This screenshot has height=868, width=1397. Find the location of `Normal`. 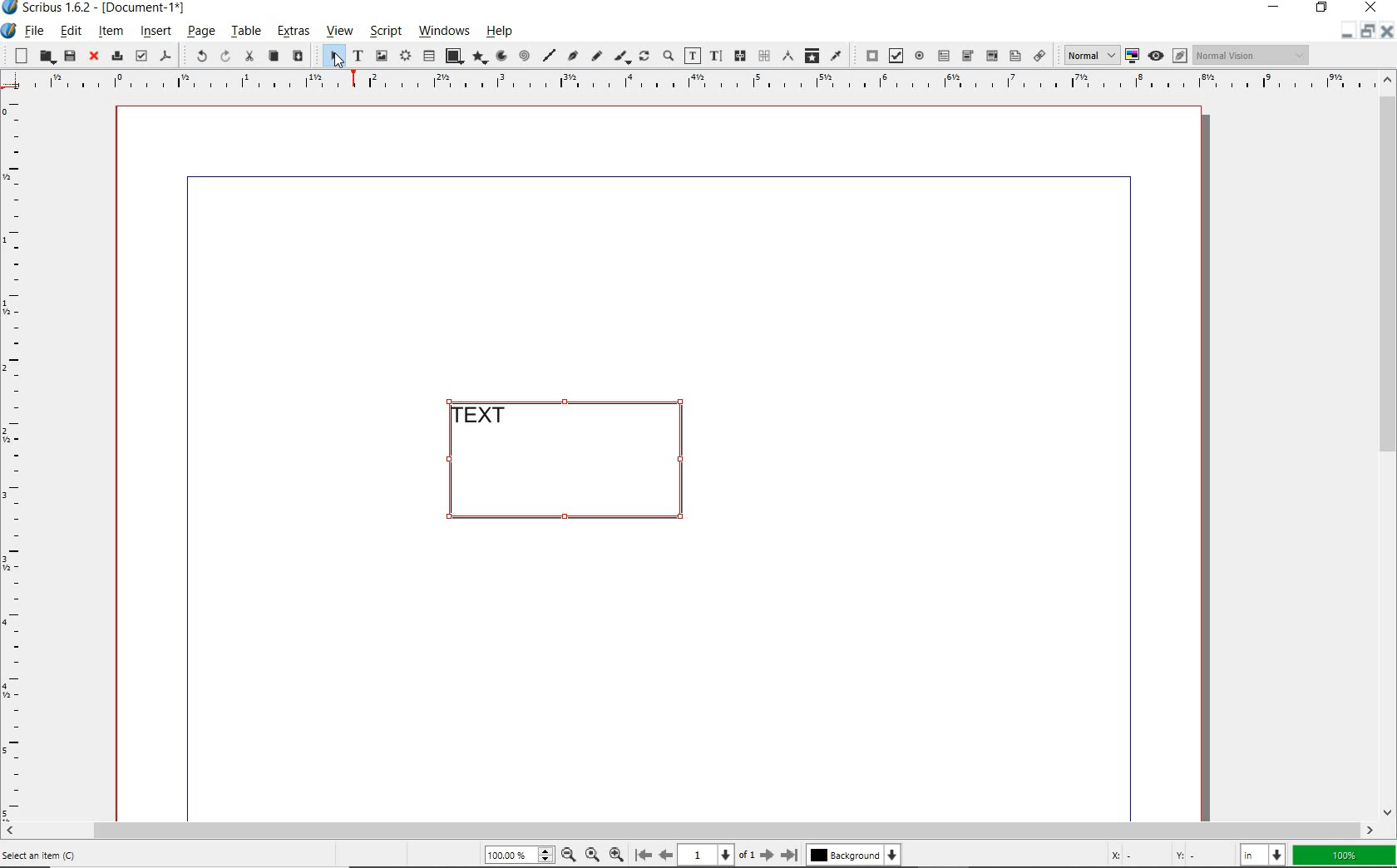

Normal is located at coordinates (1090, 55).